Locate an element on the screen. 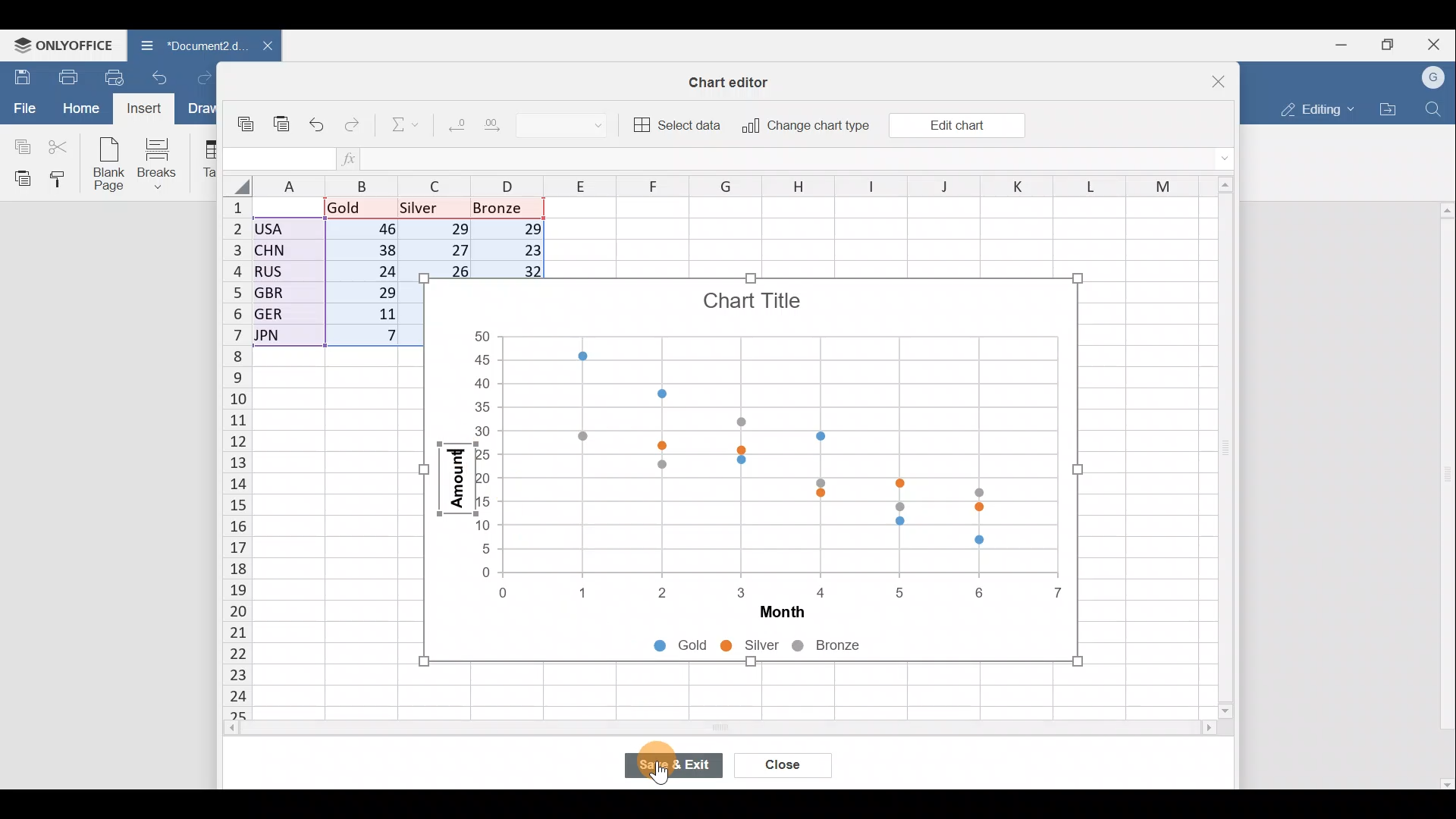 The height and width of the screenshot is (819, 1456). Increase decimal is located at coordinates (504, 129).